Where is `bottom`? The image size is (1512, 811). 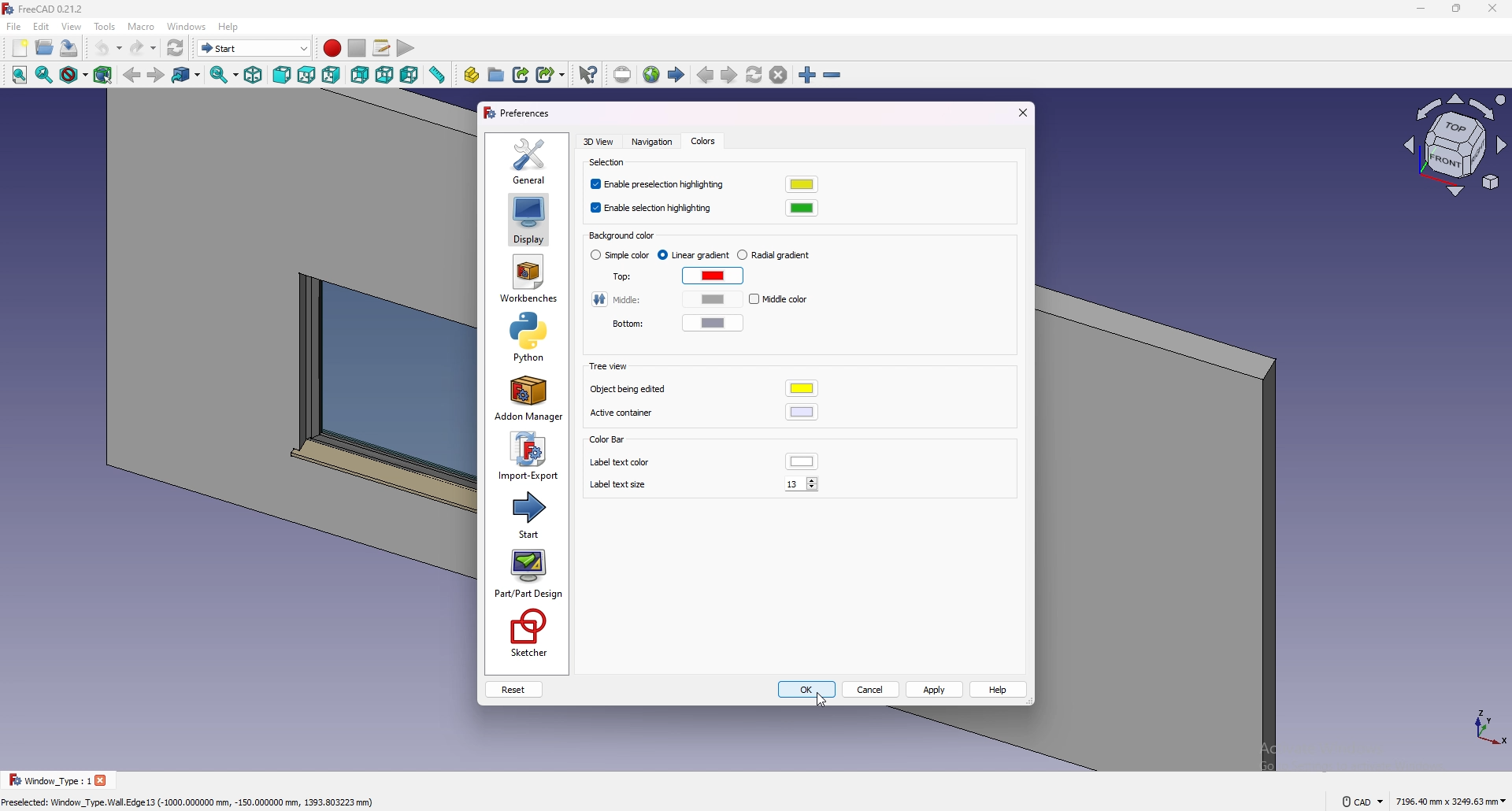 bottom is located at coordinates (385, 76).